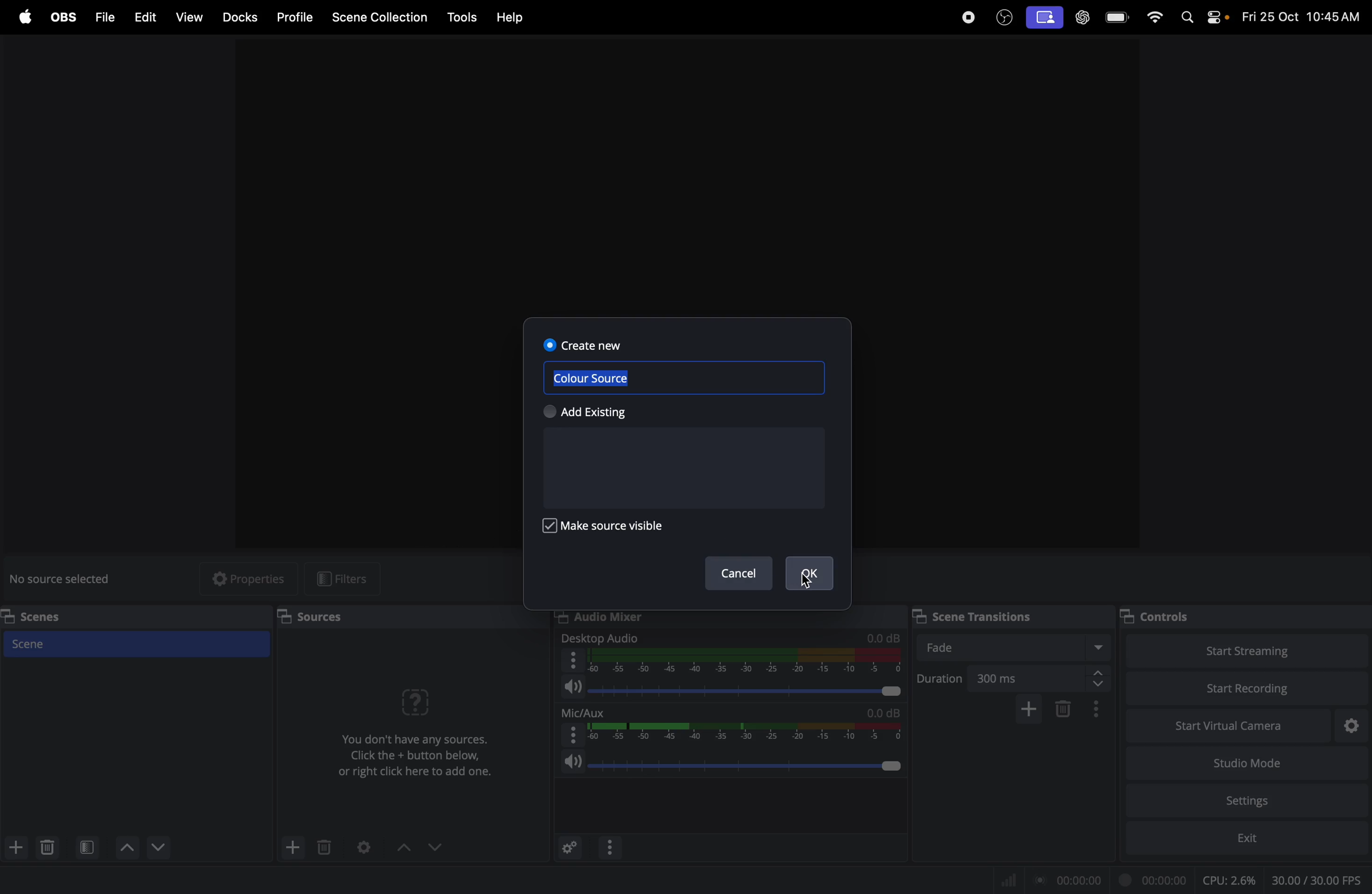 This screenshot has height=894, width=1372. Describe the element at coordinates (1153, 726) in the screenshot. I see `start virtual camera` at that location.